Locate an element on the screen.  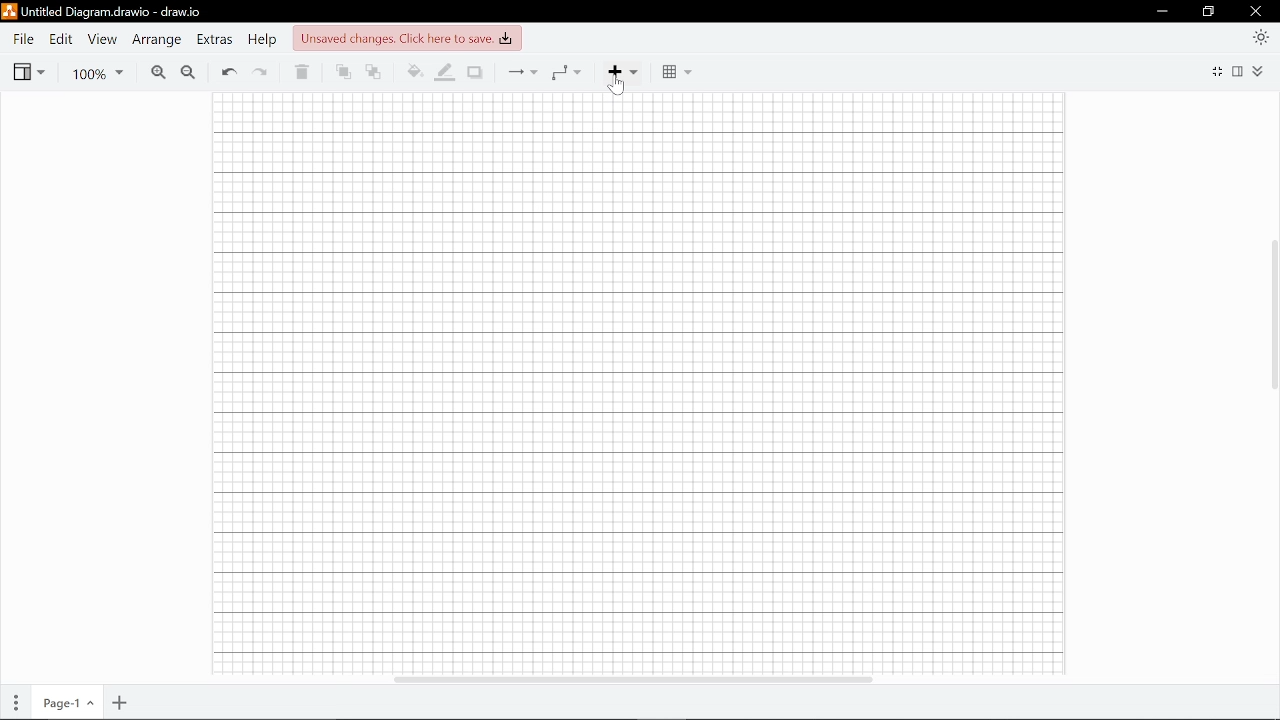
Fullscreen is located at coordinates (1218, 73).